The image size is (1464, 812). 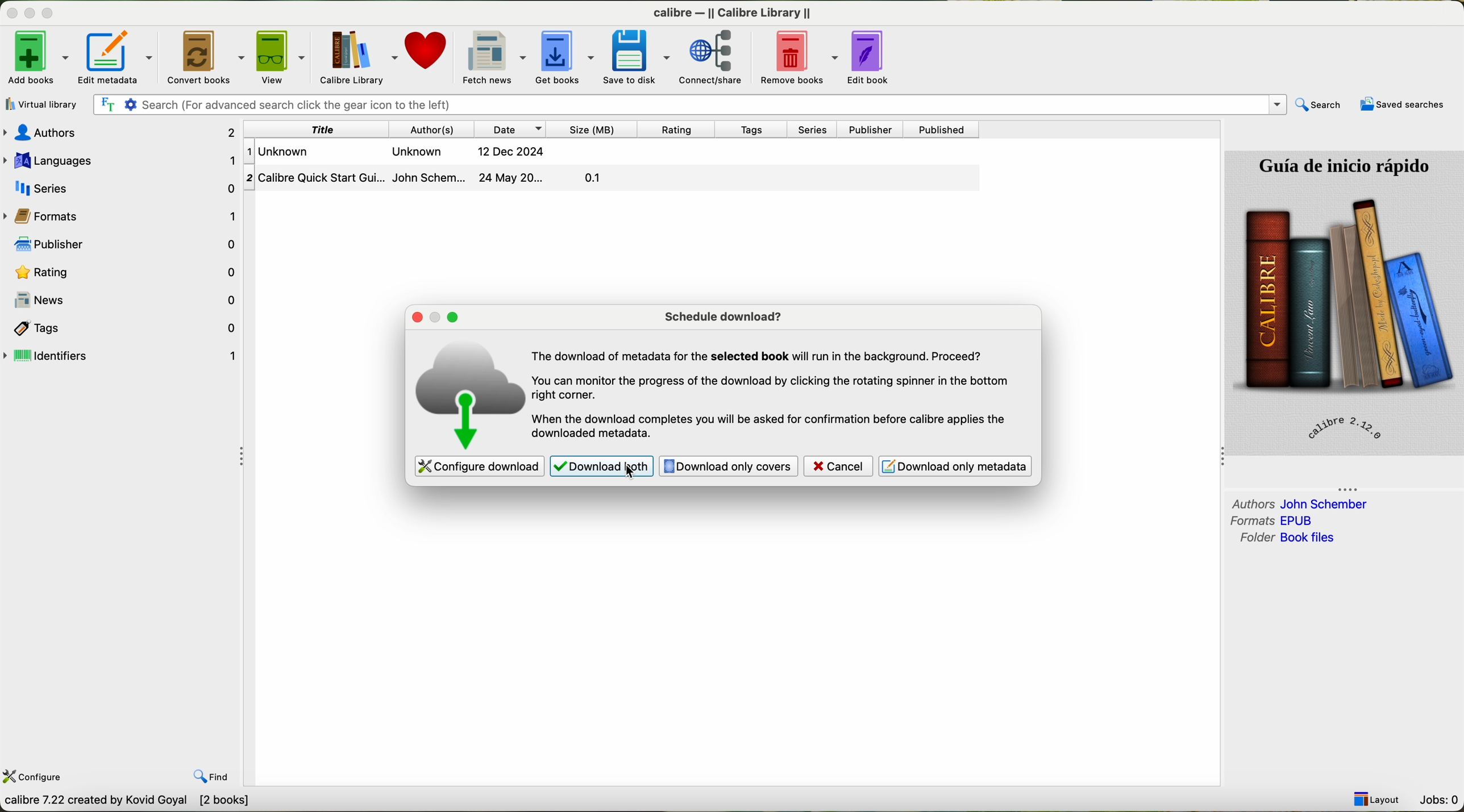 I want to click on download only metadata, so click(x=958, y=465).